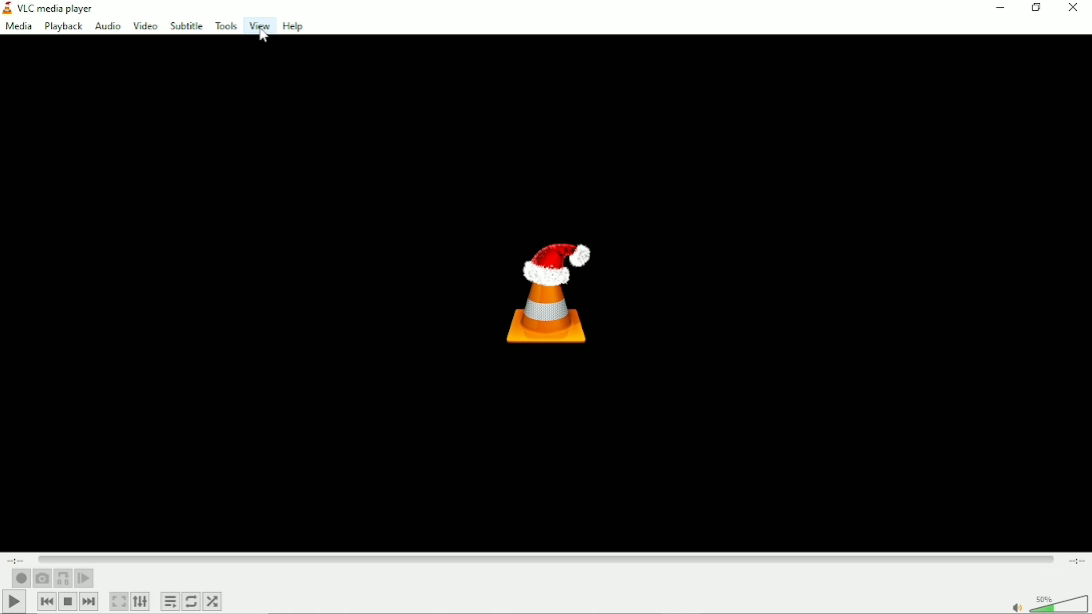  What do you see at coordinates (1073, 8) in the screenshot?
I see `Close` at bounding box center [1073, 8].